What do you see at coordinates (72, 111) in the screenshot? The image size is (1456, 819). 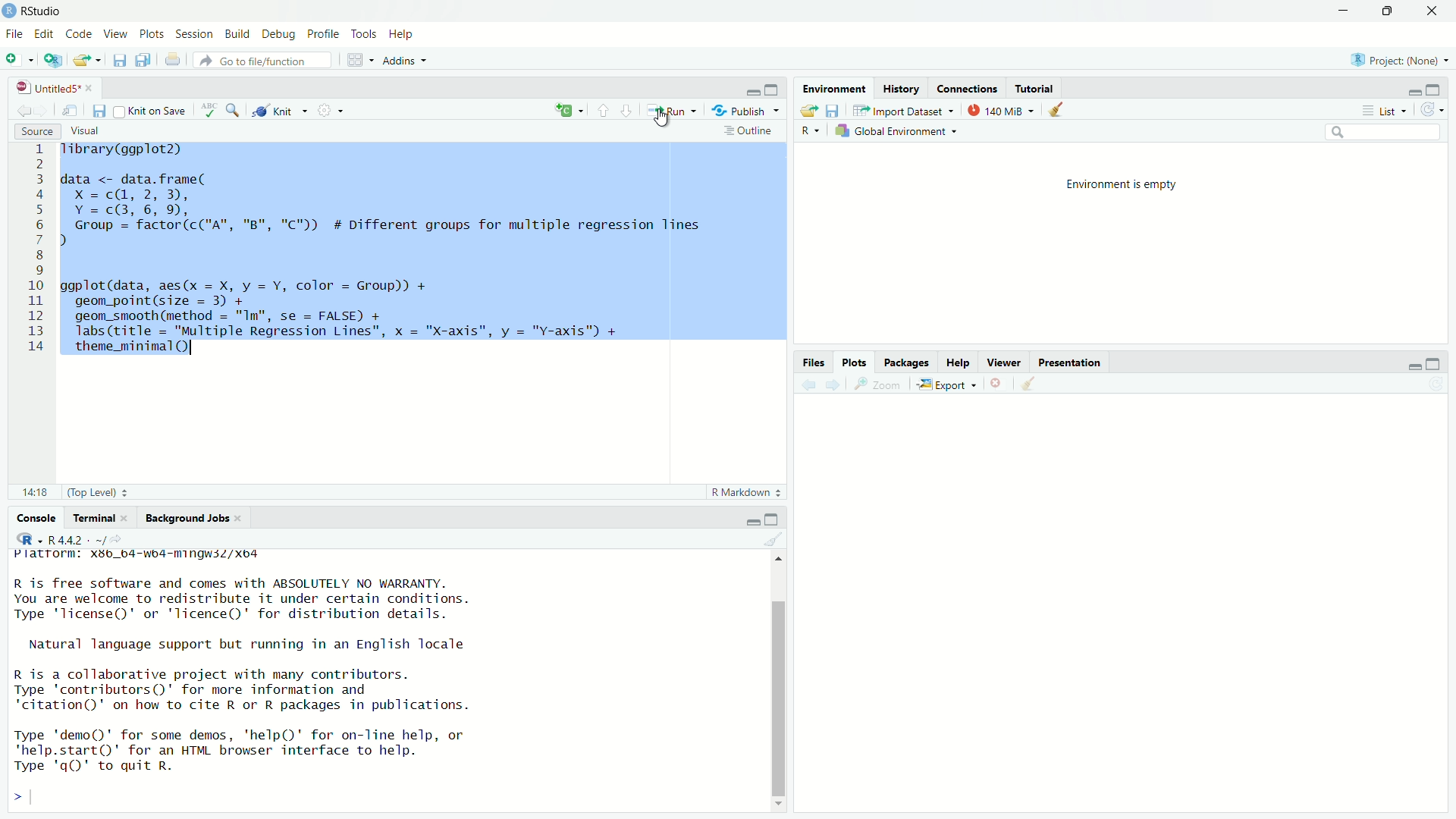 I see `move` at bounding box center [72, 111].